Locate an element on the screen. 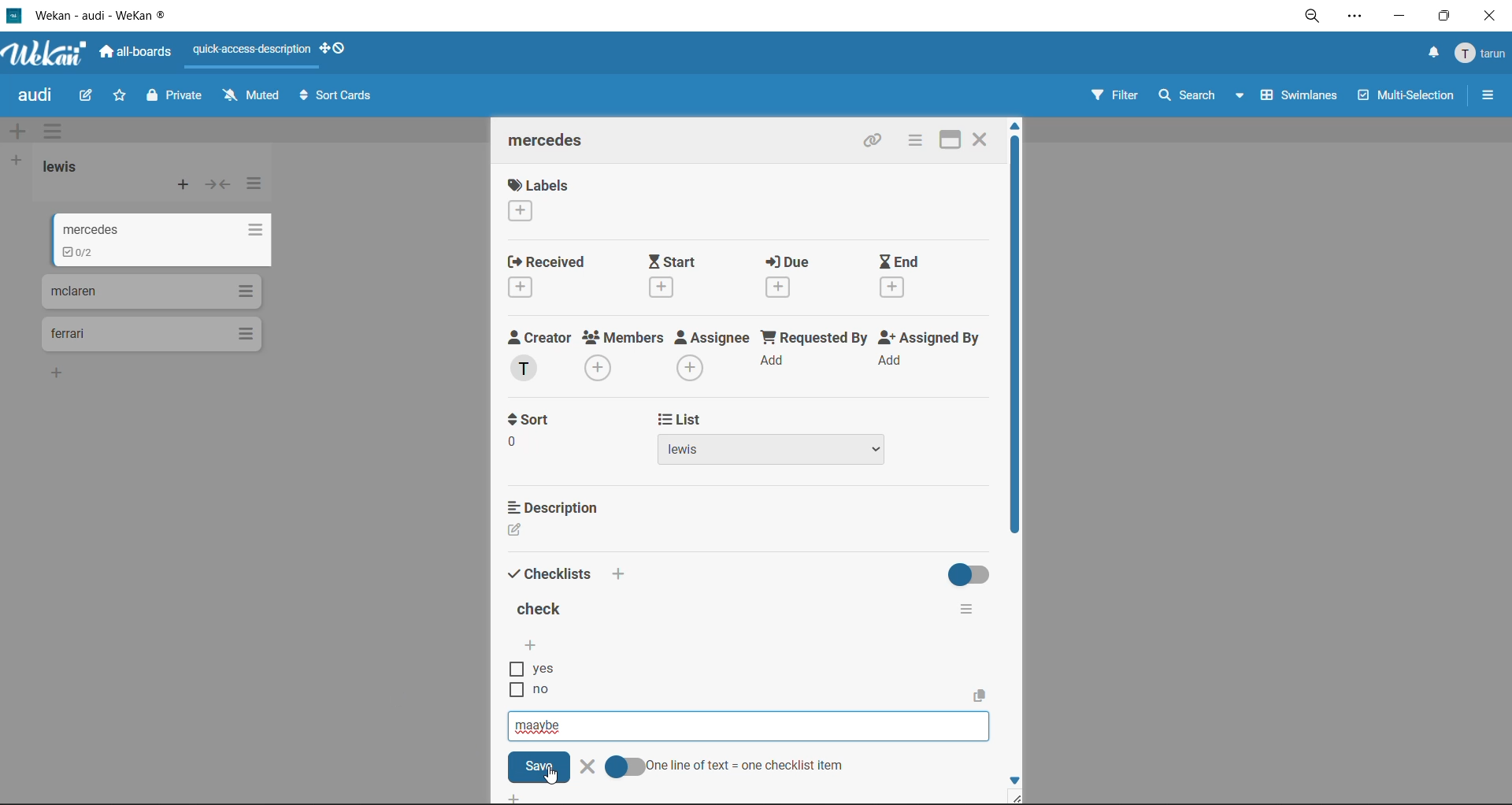  list is located at coordinates (808, 419).